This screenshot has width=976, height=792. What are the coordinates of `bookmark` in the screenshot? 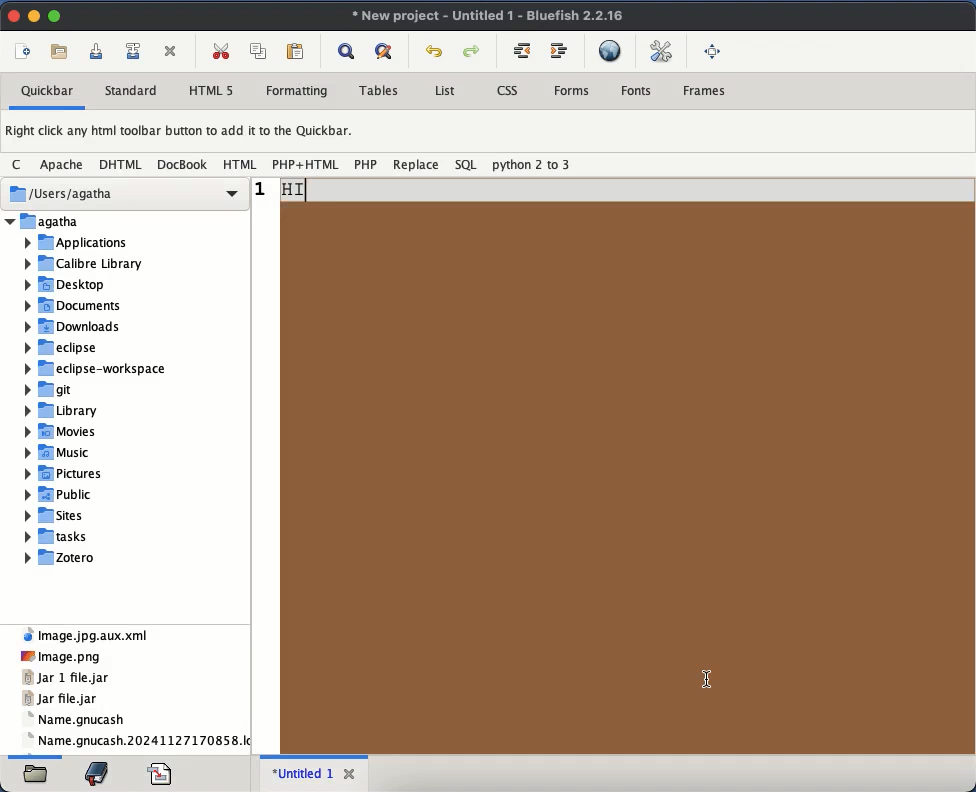 It's located at (99, 772).